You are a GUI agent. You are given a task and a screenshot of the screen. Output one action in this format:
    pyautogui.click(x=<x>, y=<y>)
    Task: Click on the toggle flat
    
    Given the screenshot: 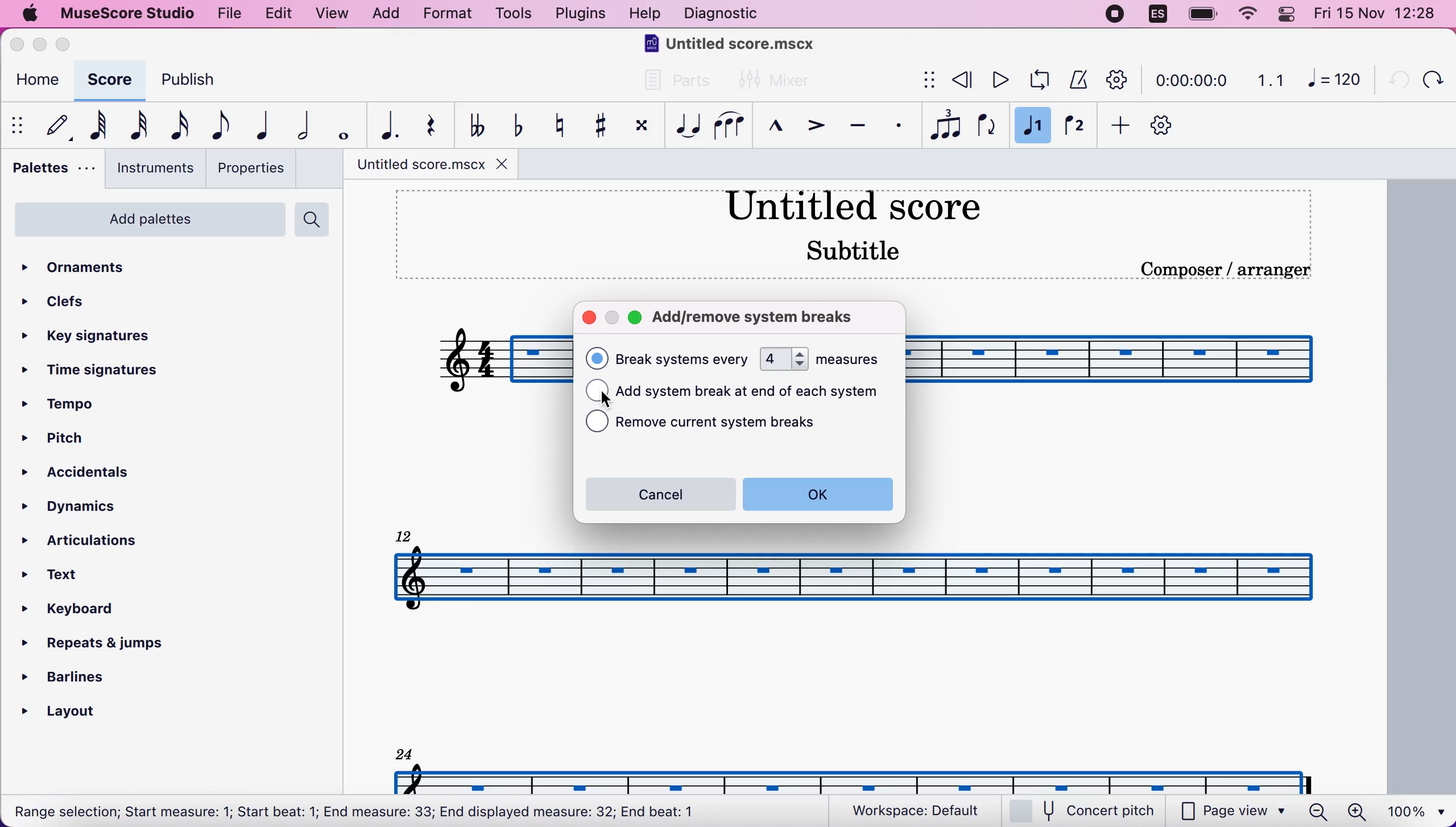 What is the action you would take?
    pyautogui.click(x=515, y=125)
    